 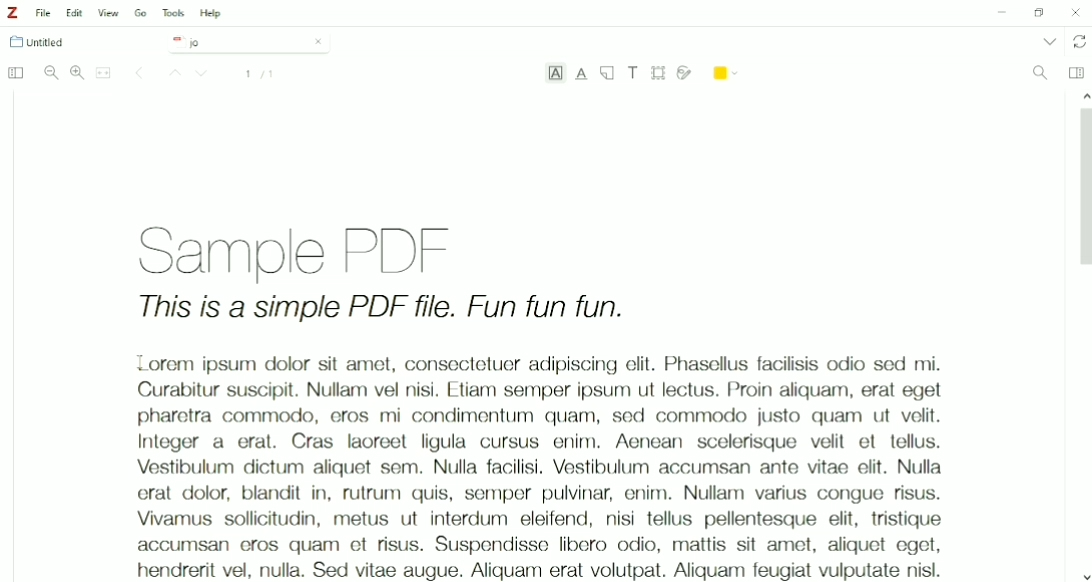 I want to click on Zoom In, so click(x=77, y=72).